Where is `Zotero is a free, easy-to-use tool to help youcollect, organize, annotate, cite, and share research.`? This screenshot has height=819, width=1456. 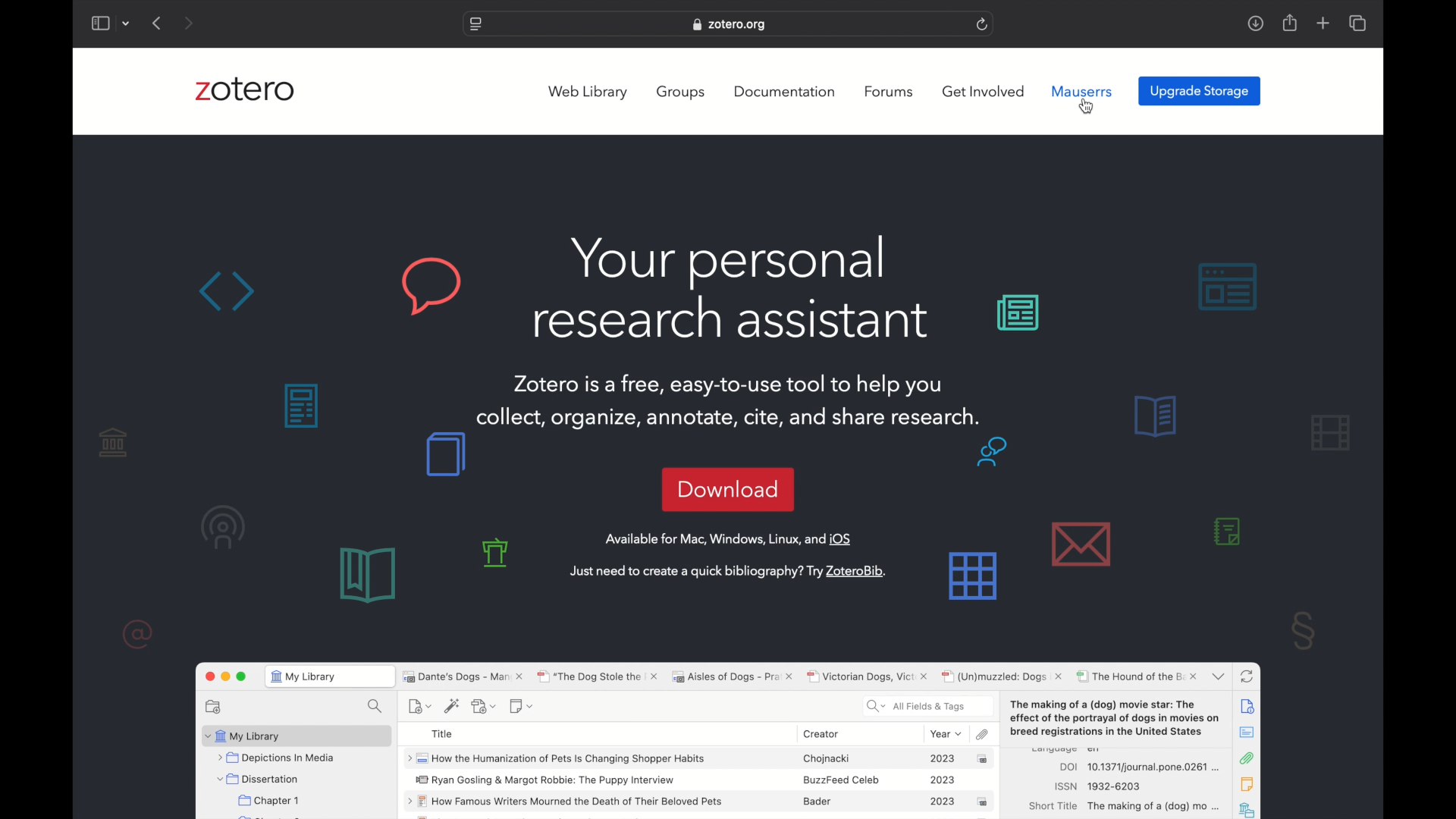 Zotero is a free, easy-to-use tool to help youcollect, organize, annotate, cite, and share research. is located at coordinates (728, 398).